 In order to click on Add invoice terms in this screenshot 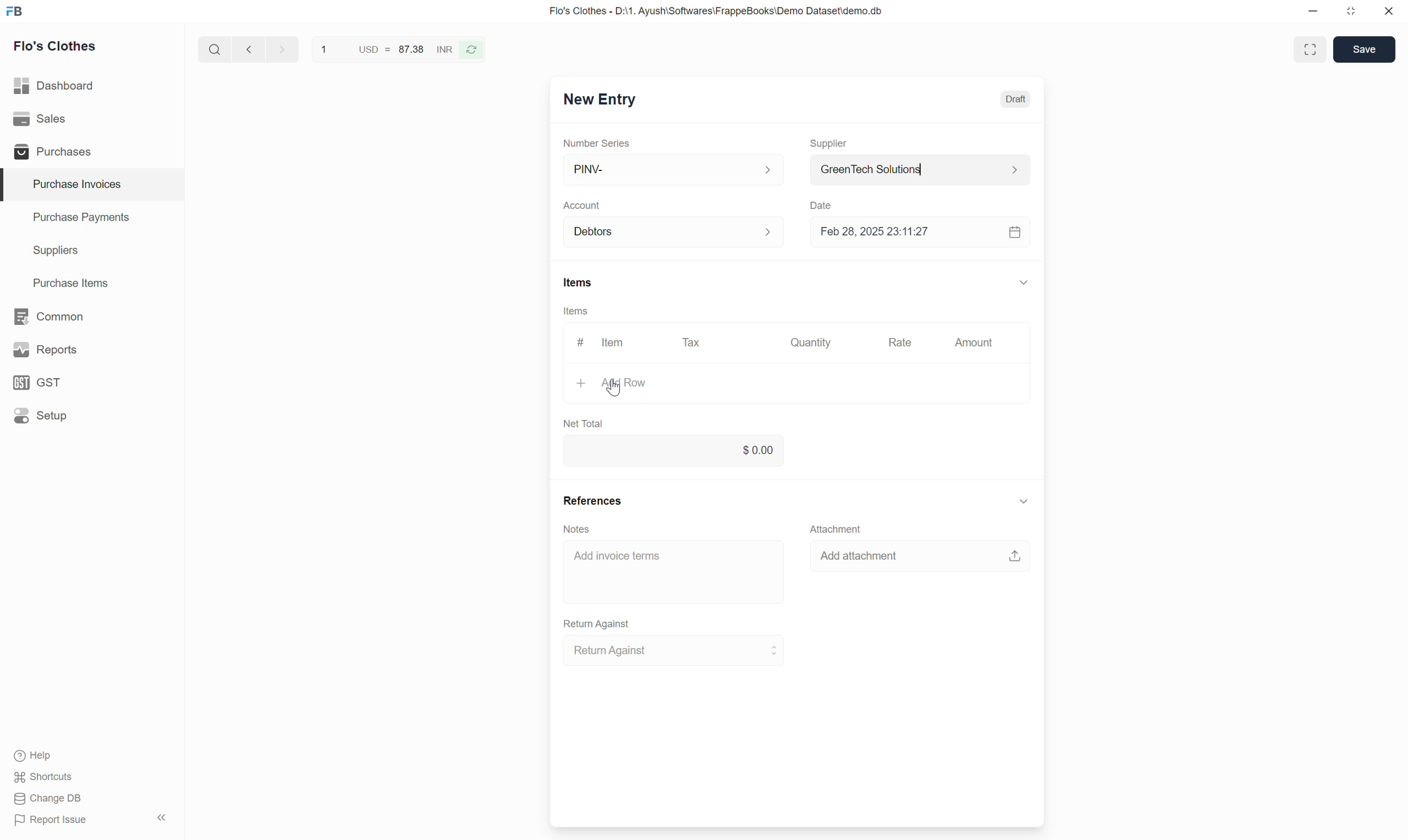, I will do `click(674, 572)`.